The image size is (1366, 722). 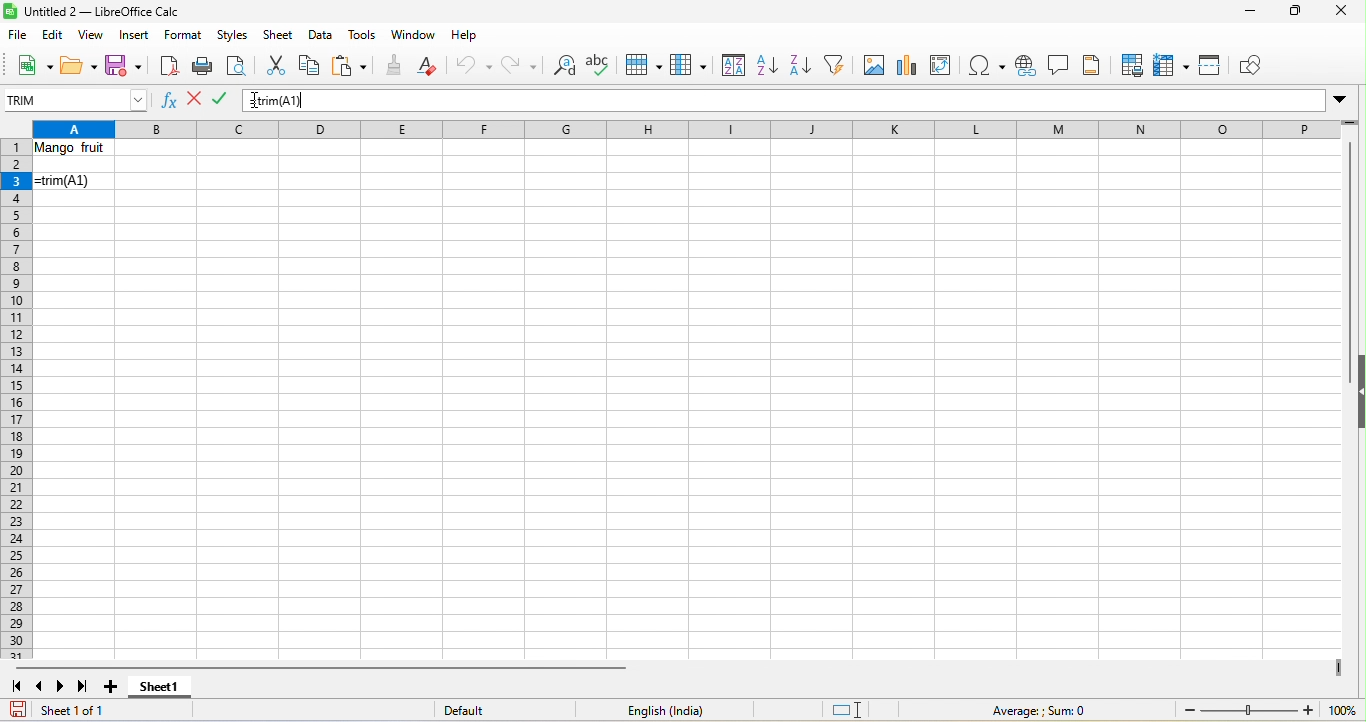 What do you see at coordinates (1248, 13) in the screenshot?
I see `minimize` at bounding box center [1248, 13].